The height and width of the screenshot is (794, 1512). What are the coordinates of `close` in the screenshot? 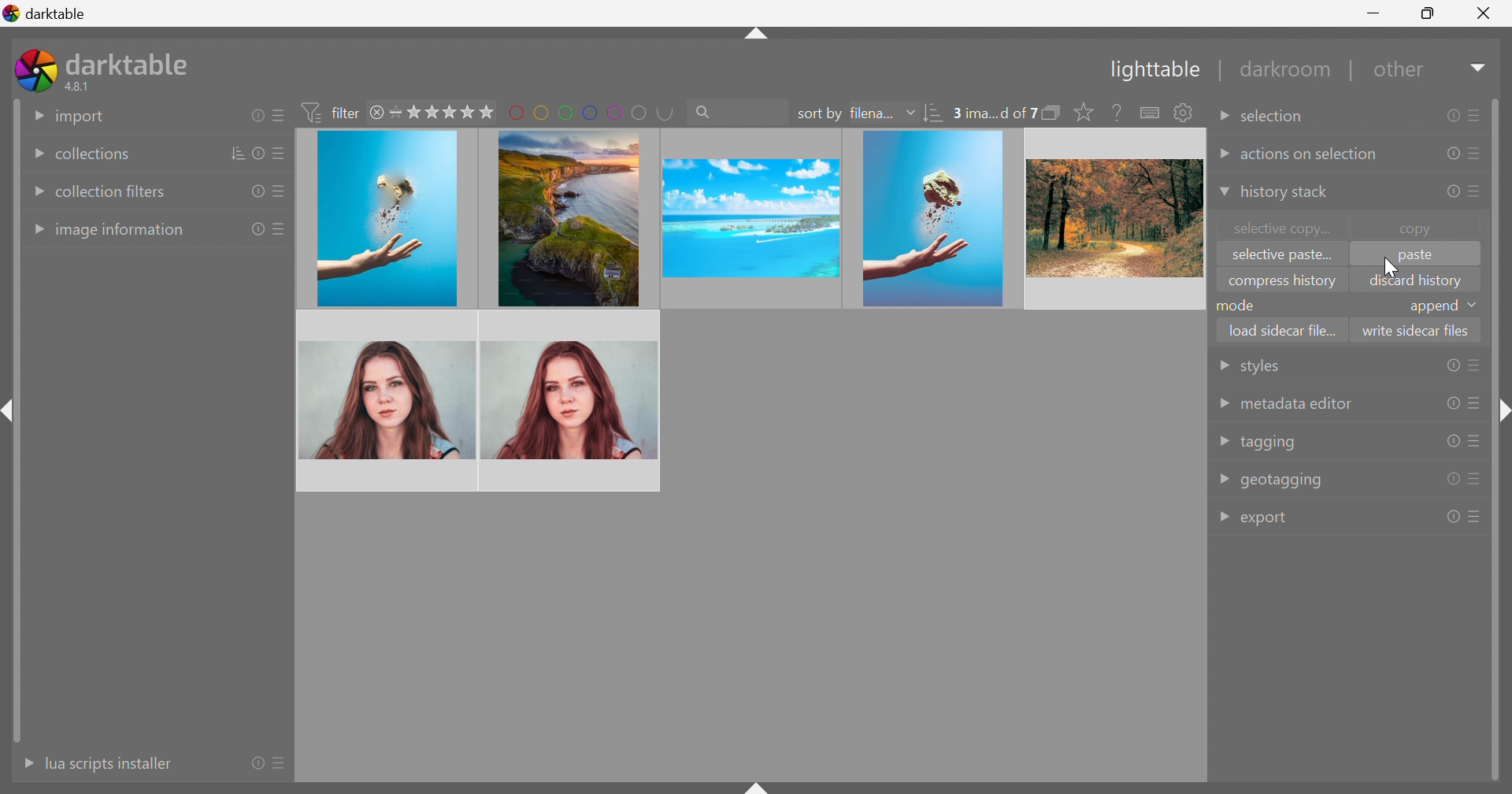 It's located at (379, 114).